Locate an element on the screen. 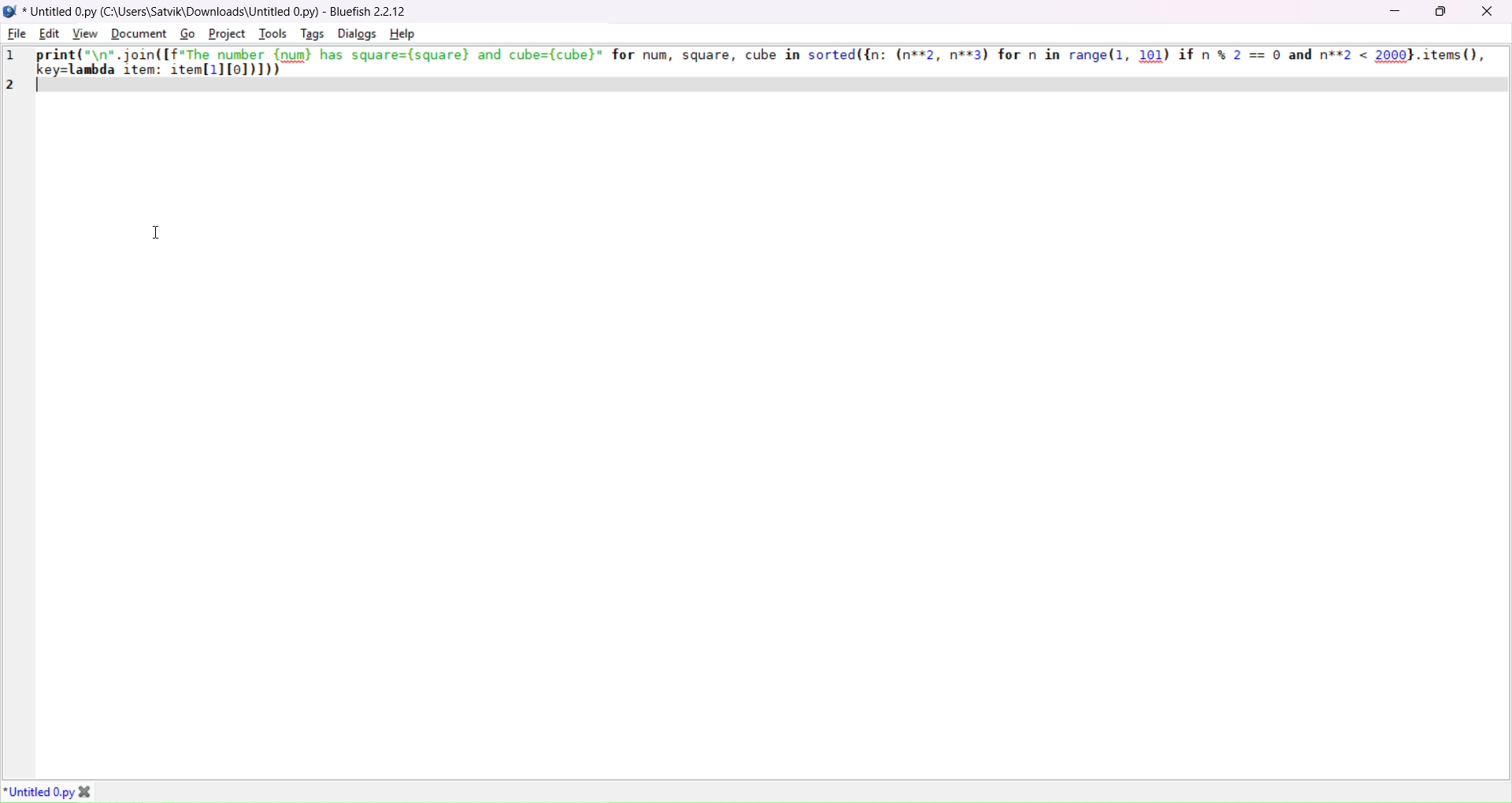 This screenshot has height=803, width=1512. tools is located at coordinates (271, 33).